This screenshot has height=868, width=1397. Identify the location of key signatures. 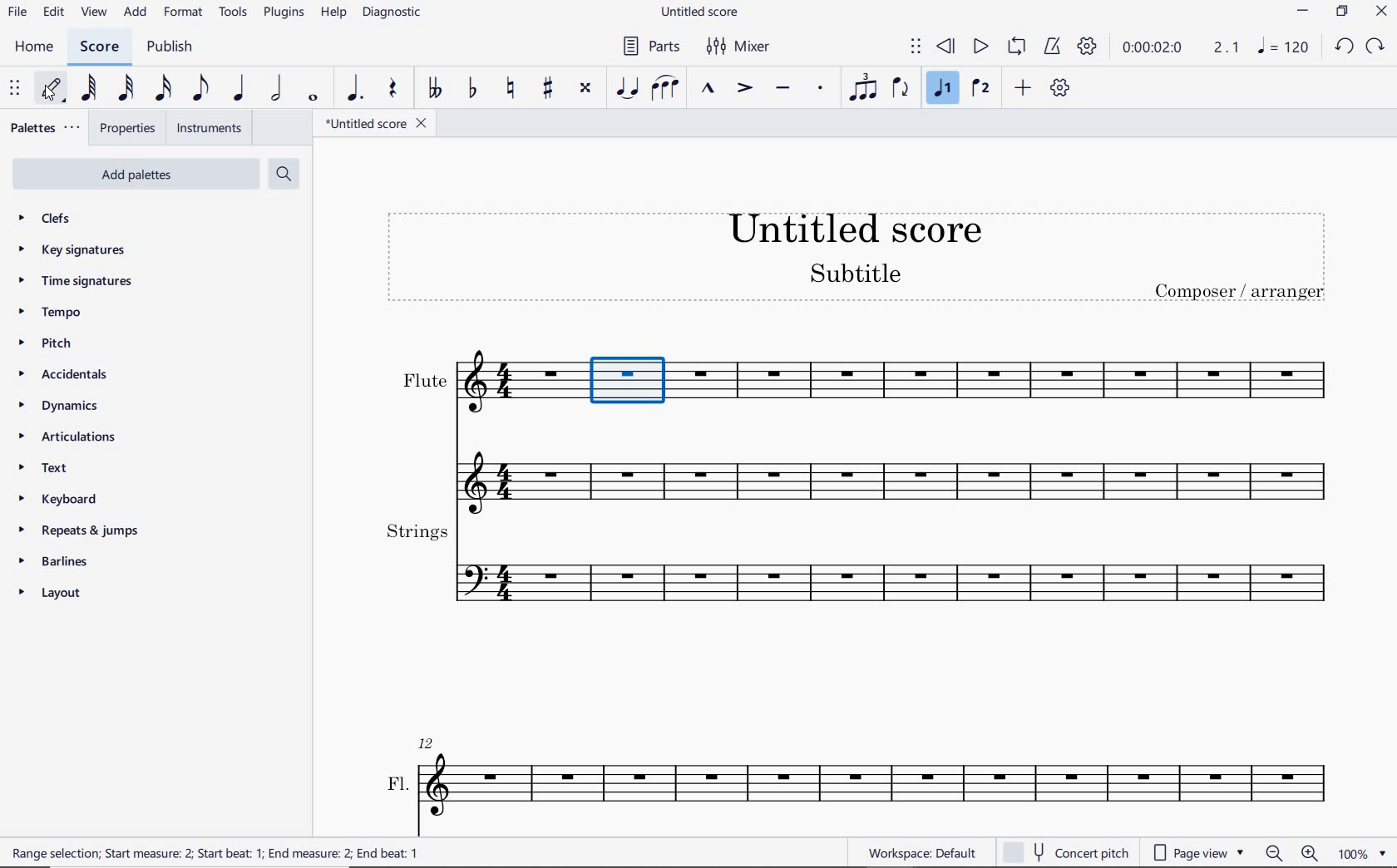
(79, 252).